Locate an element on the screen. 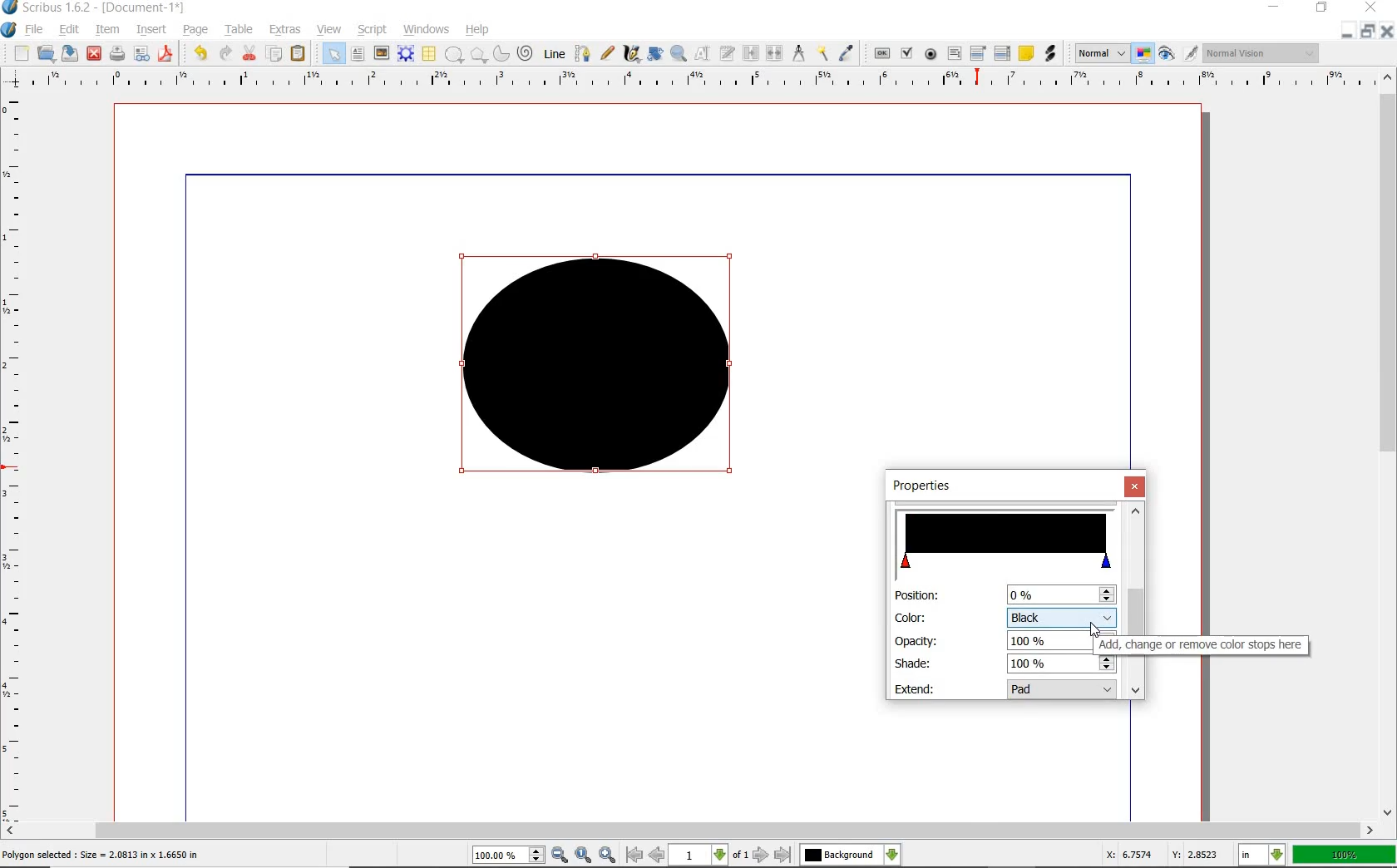  UNLINK TEXT FRAME is located at coordinates (773, 52).